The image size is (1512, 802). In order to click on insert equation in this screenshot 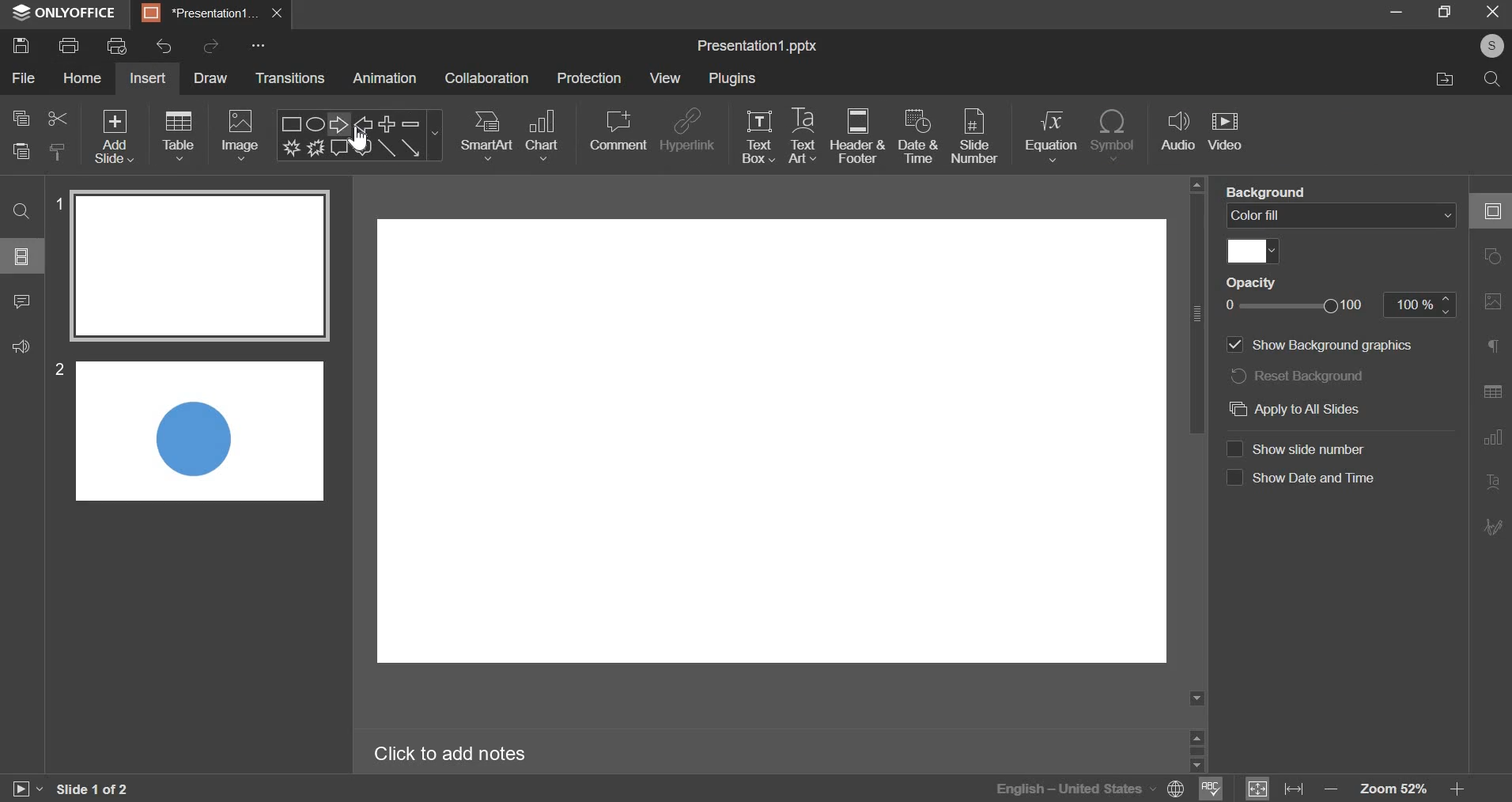, I will do `click(1052, 136)`.